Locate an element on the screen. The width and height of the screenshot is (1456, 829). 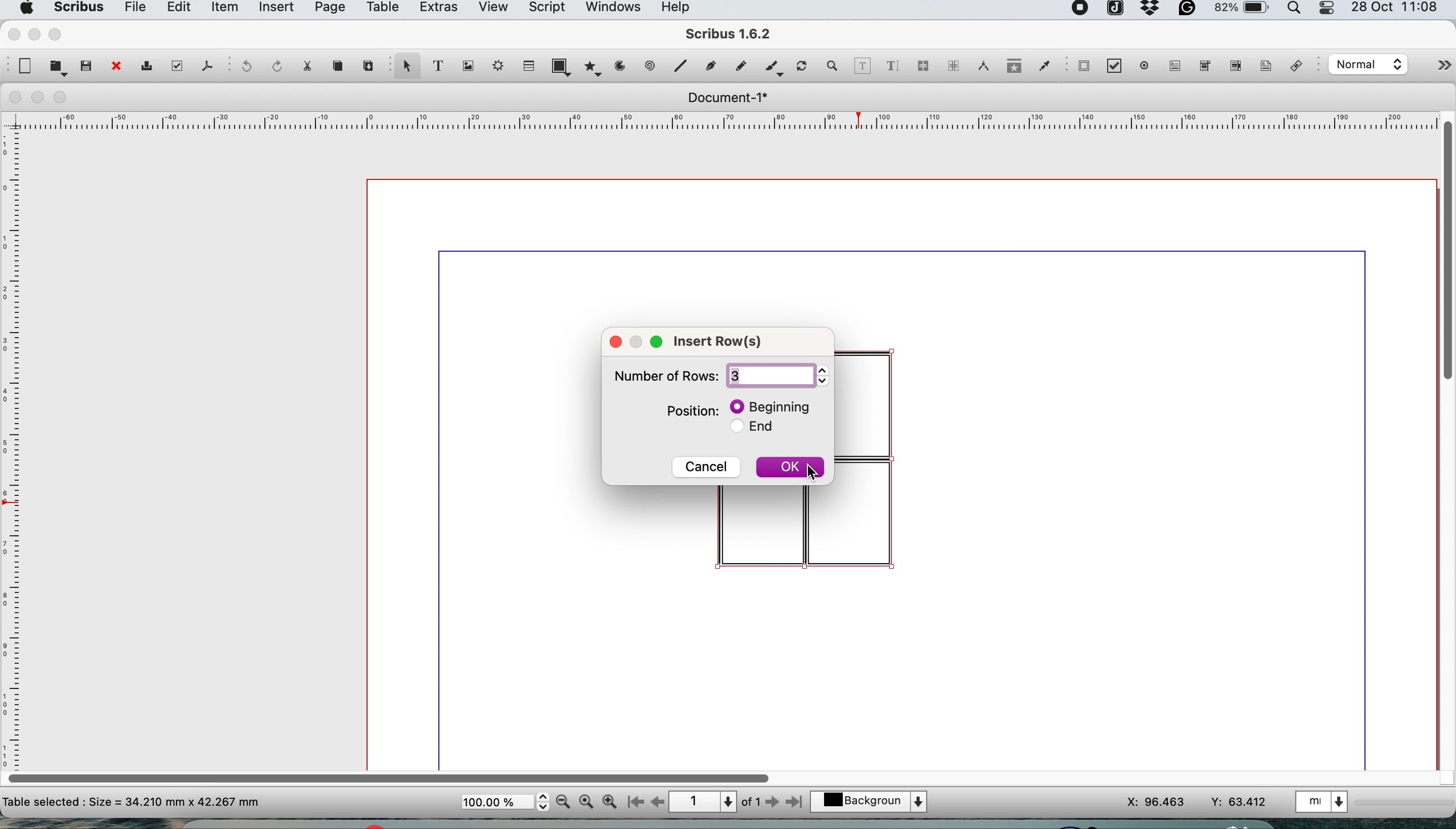
minimise is located at coordinates (34, 34).